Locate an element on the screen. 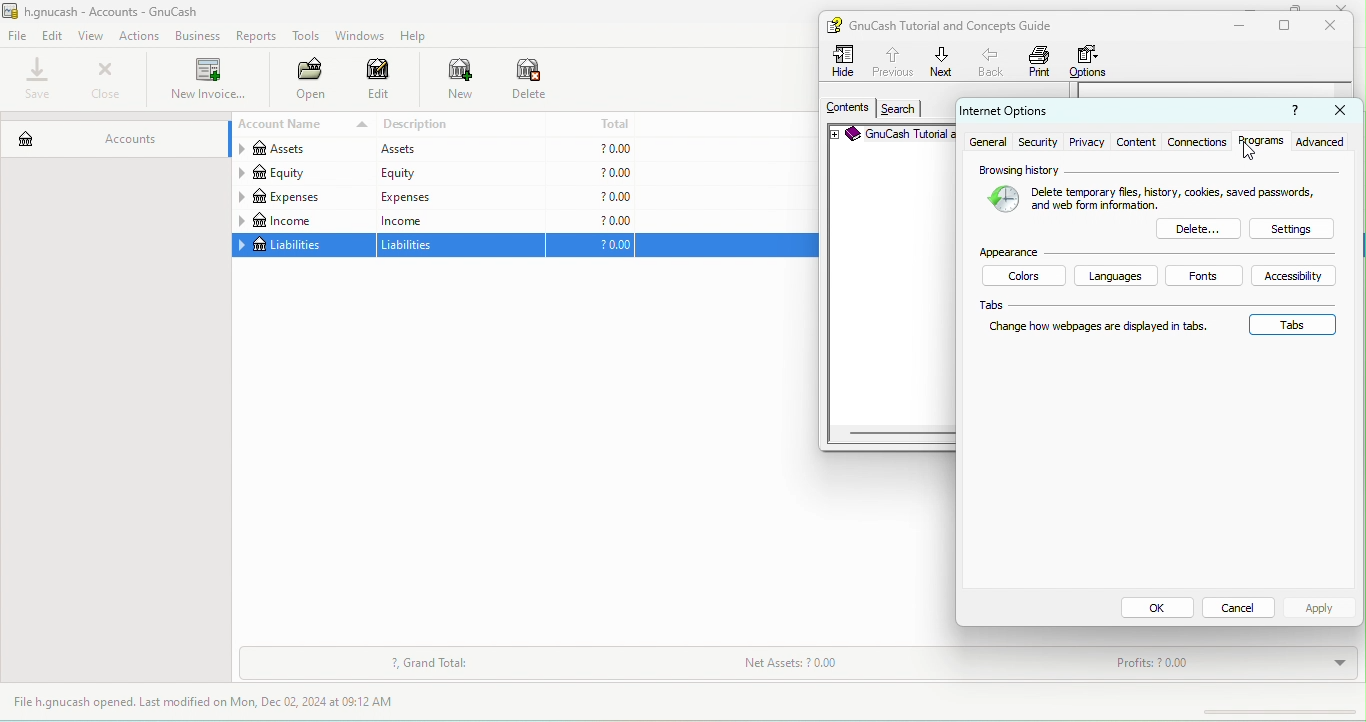  ?0.00 is located at coordinates (590, 174).